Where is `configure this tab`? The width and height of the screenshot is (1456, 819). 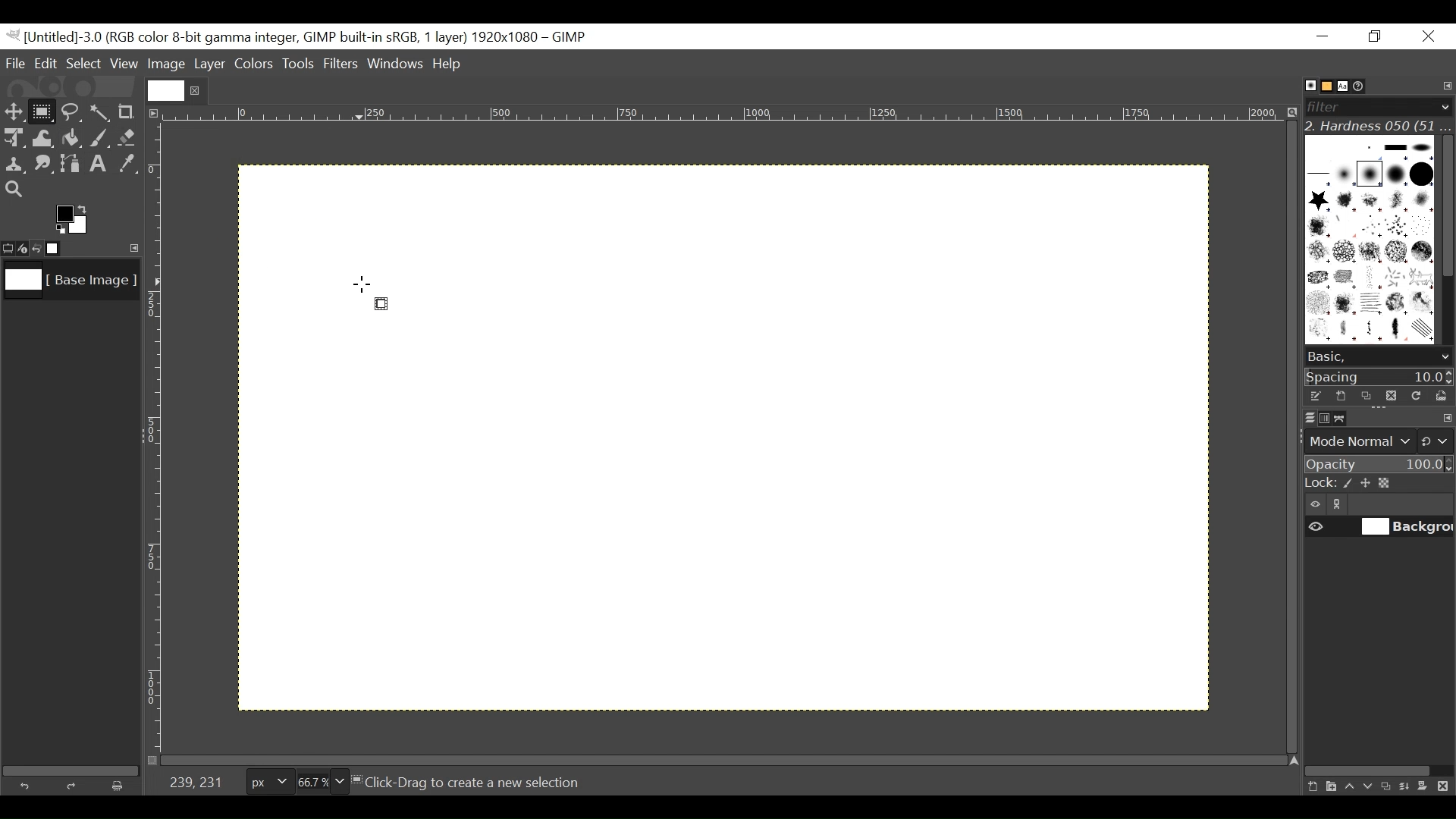
configure this tab is located at coordinates (1447, 419).